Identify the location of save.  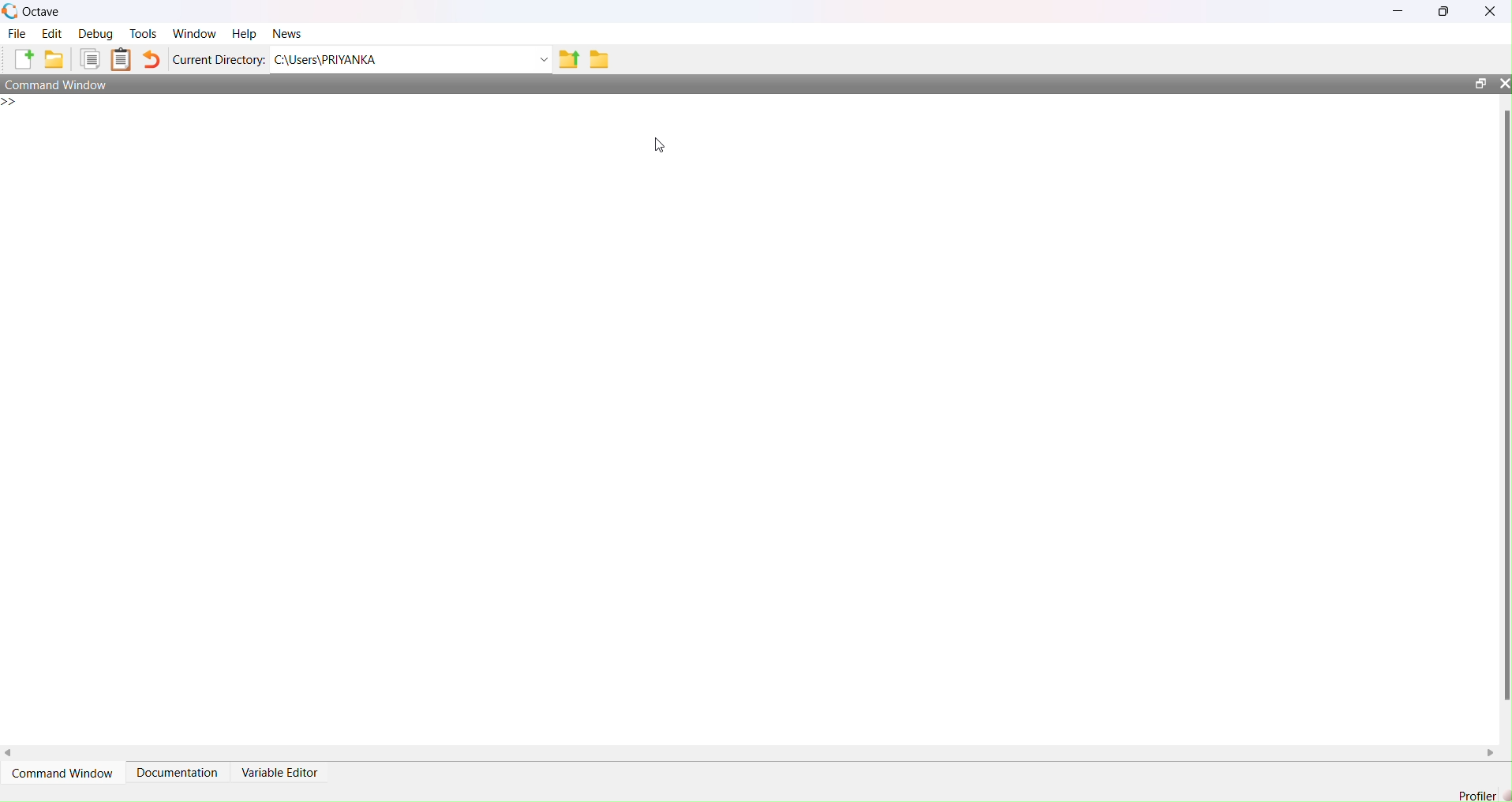
(54, 60).